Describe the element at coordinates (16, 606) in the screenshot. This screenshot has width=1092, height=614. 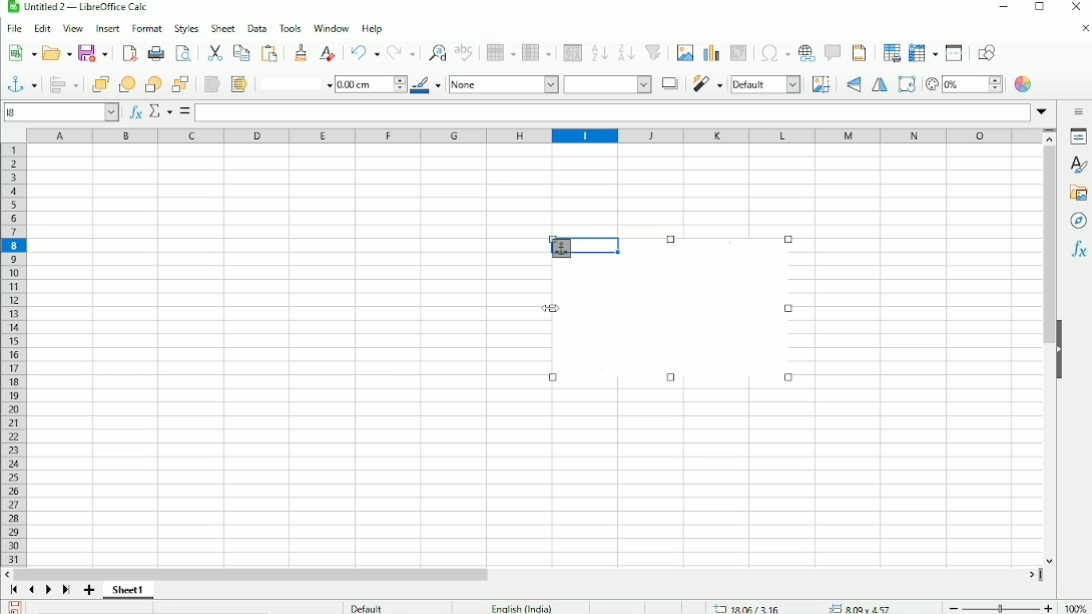
I see `Save` at that location.